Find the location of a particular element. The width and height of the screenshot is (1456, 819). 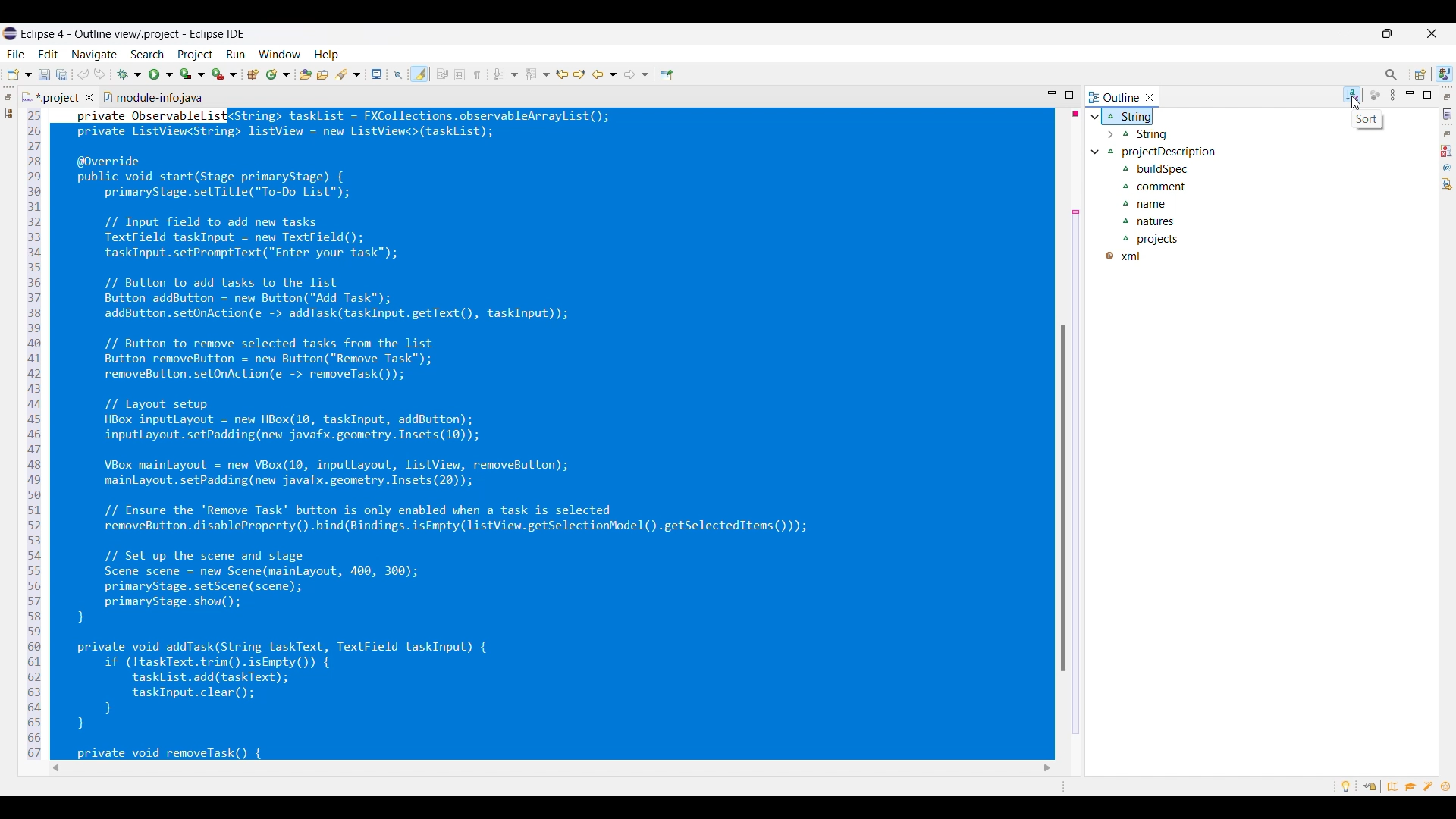

string is located at coordinates (1154, 136).